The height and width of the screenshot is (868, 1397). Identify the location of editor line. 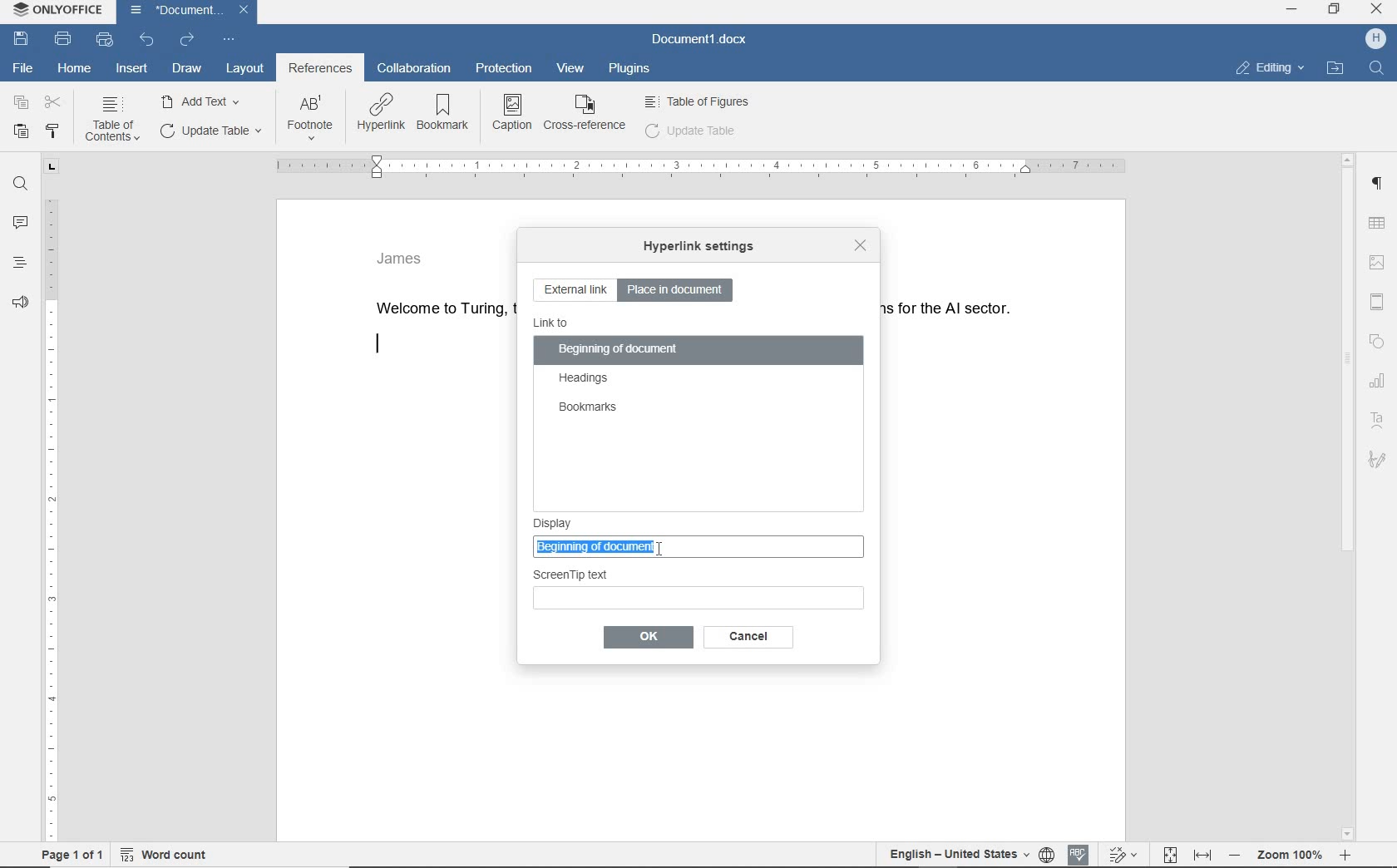
(378, 345).